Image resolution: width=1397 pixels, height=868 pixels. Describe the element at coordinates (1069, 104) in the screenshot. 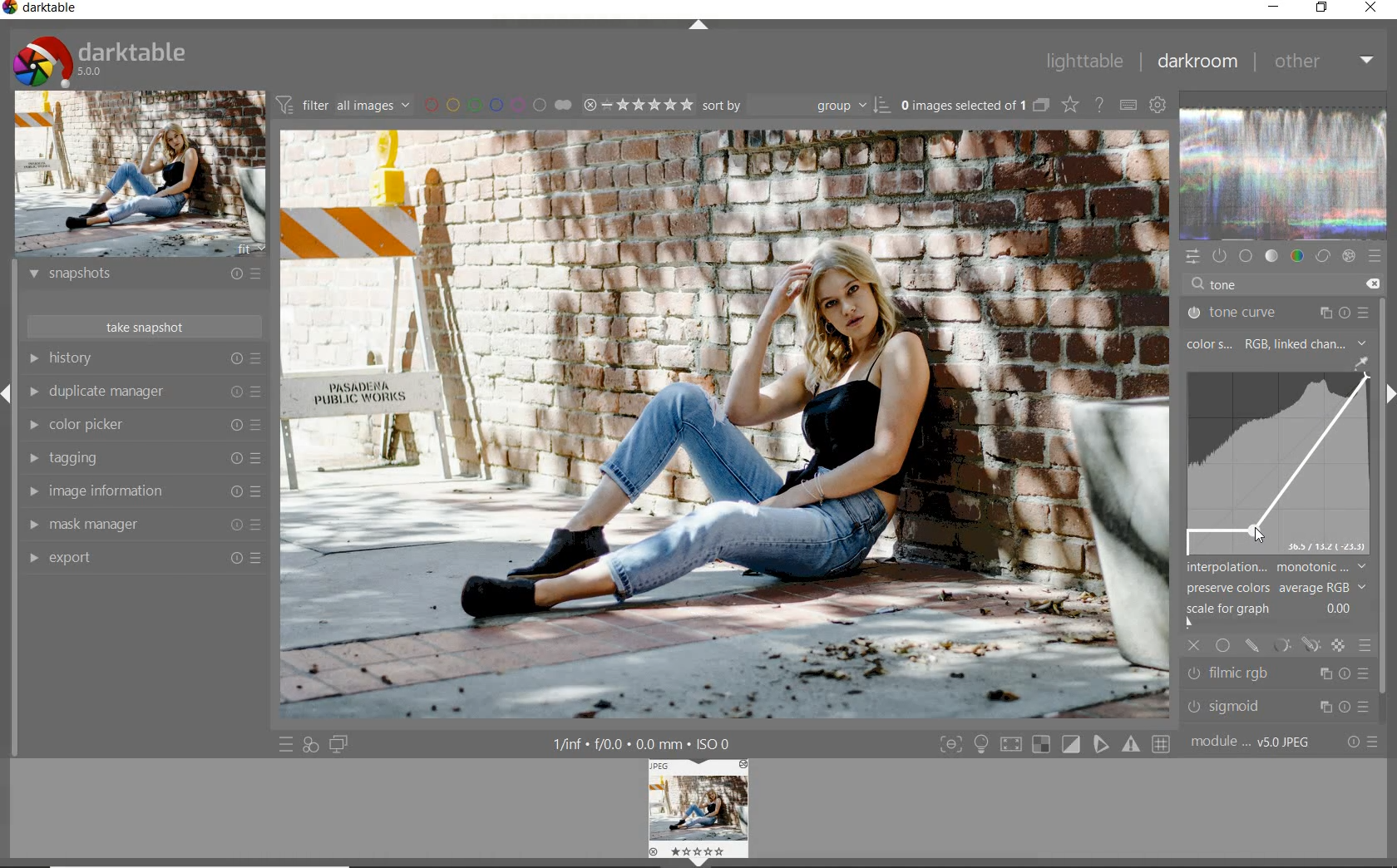

I see `change overlays shown on thumbnails` at that location.